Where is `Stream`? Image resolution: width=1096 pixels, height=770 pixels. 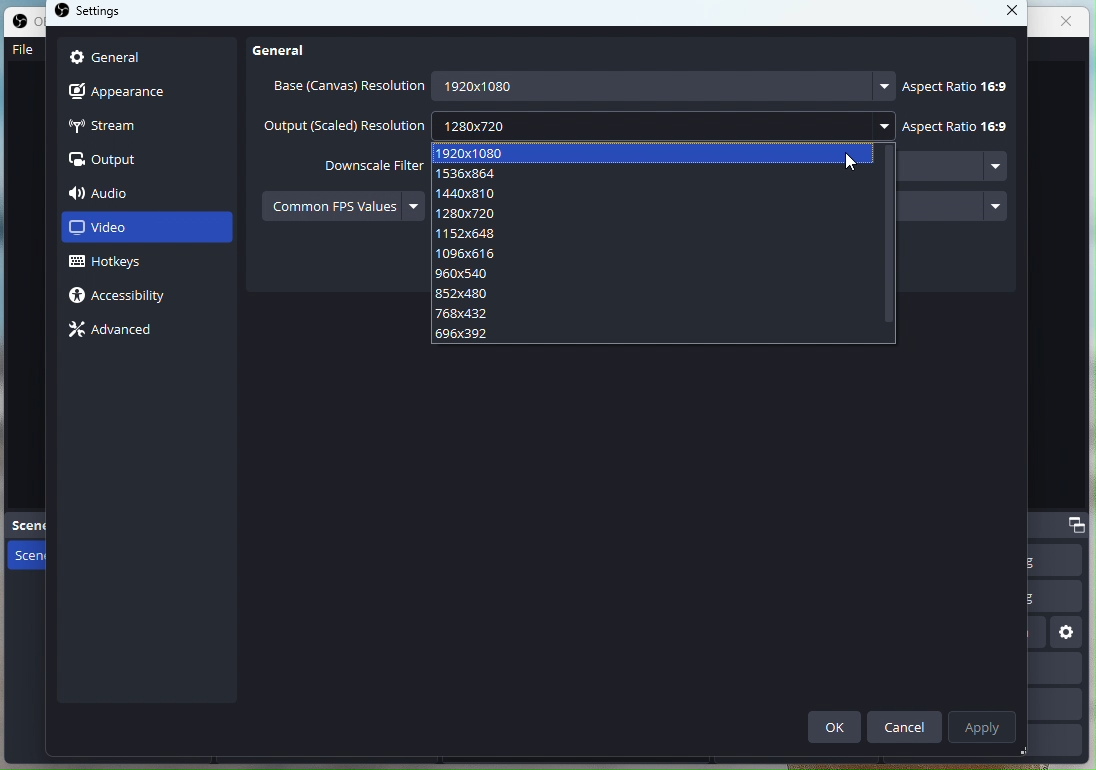 Stream is located at coordinates (143, 127).